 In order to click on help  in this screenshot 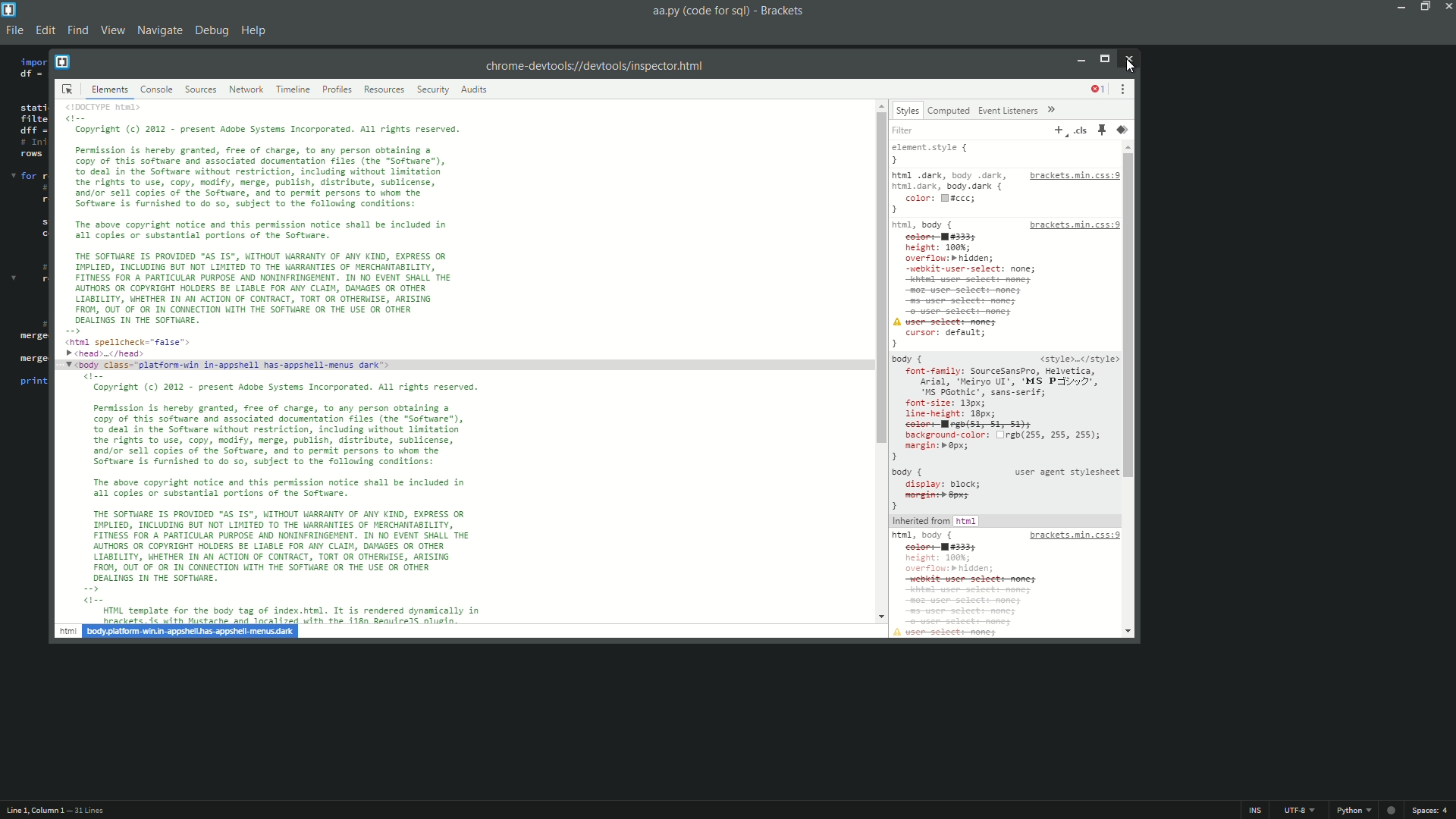, I will do `click(256, 30)`.